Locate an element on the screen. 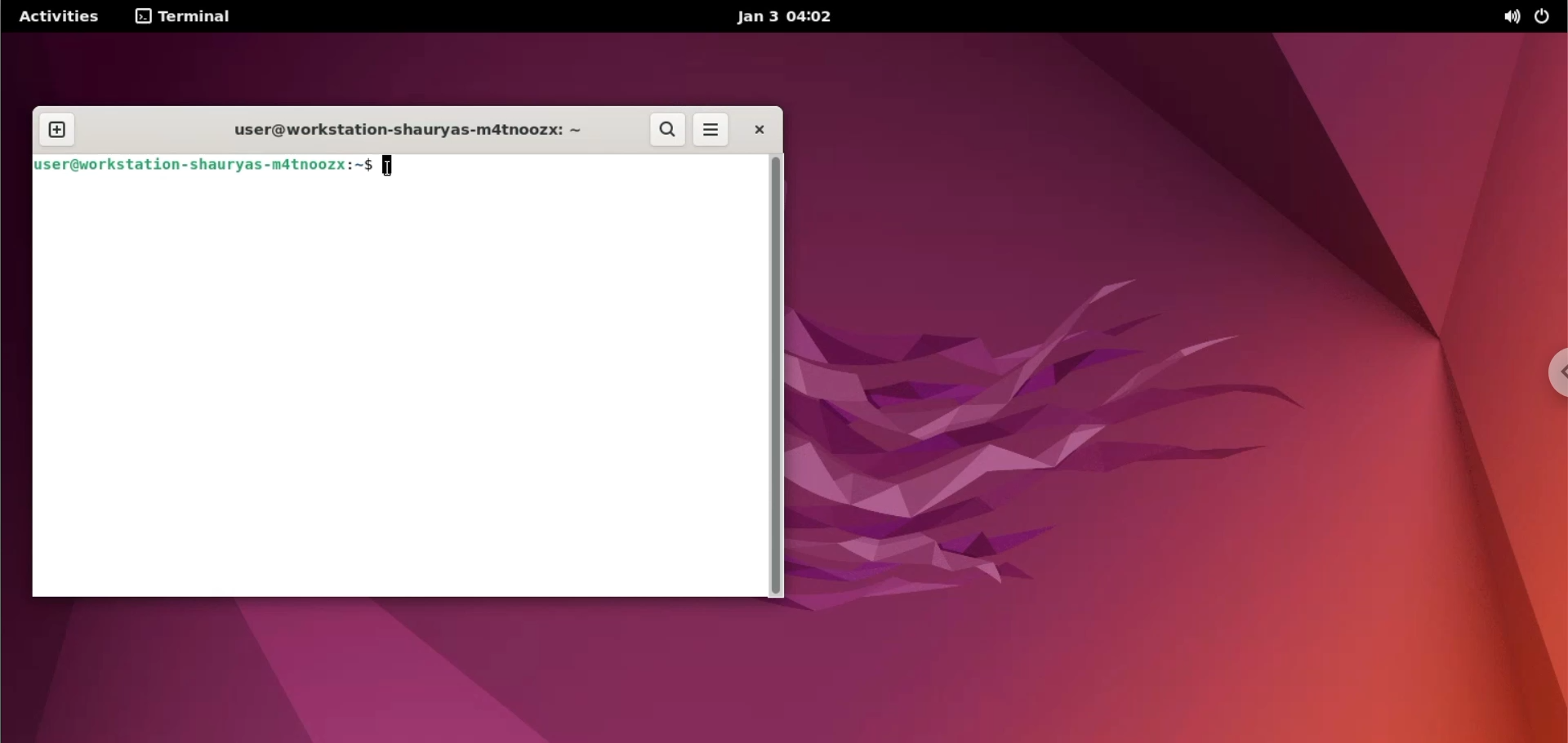 Image resolution: width=1568 pixels, height=743 pixels. chrome options is located at coordinates (1543, 369).